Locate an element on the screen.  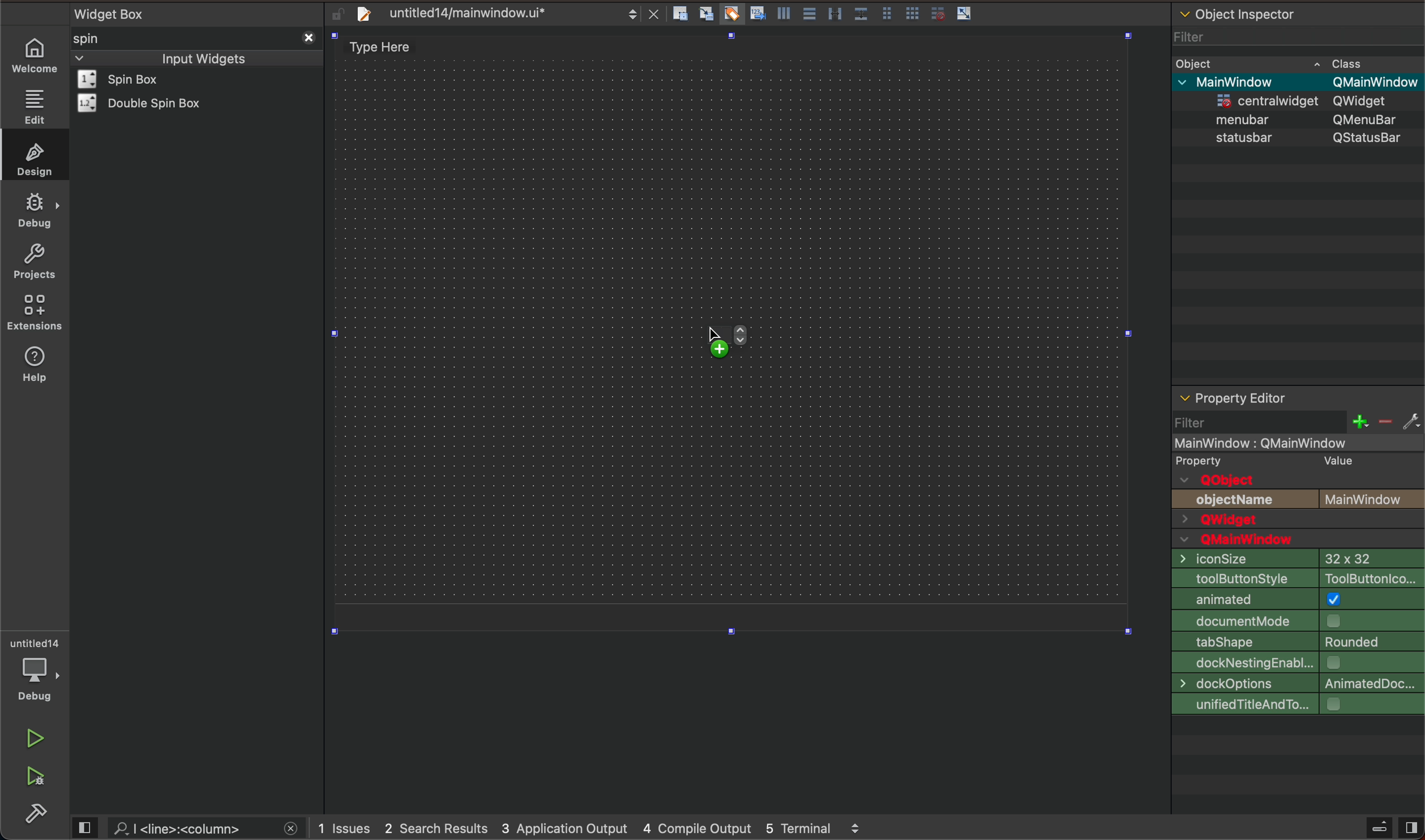
extension is located at coordinates (35, 313).